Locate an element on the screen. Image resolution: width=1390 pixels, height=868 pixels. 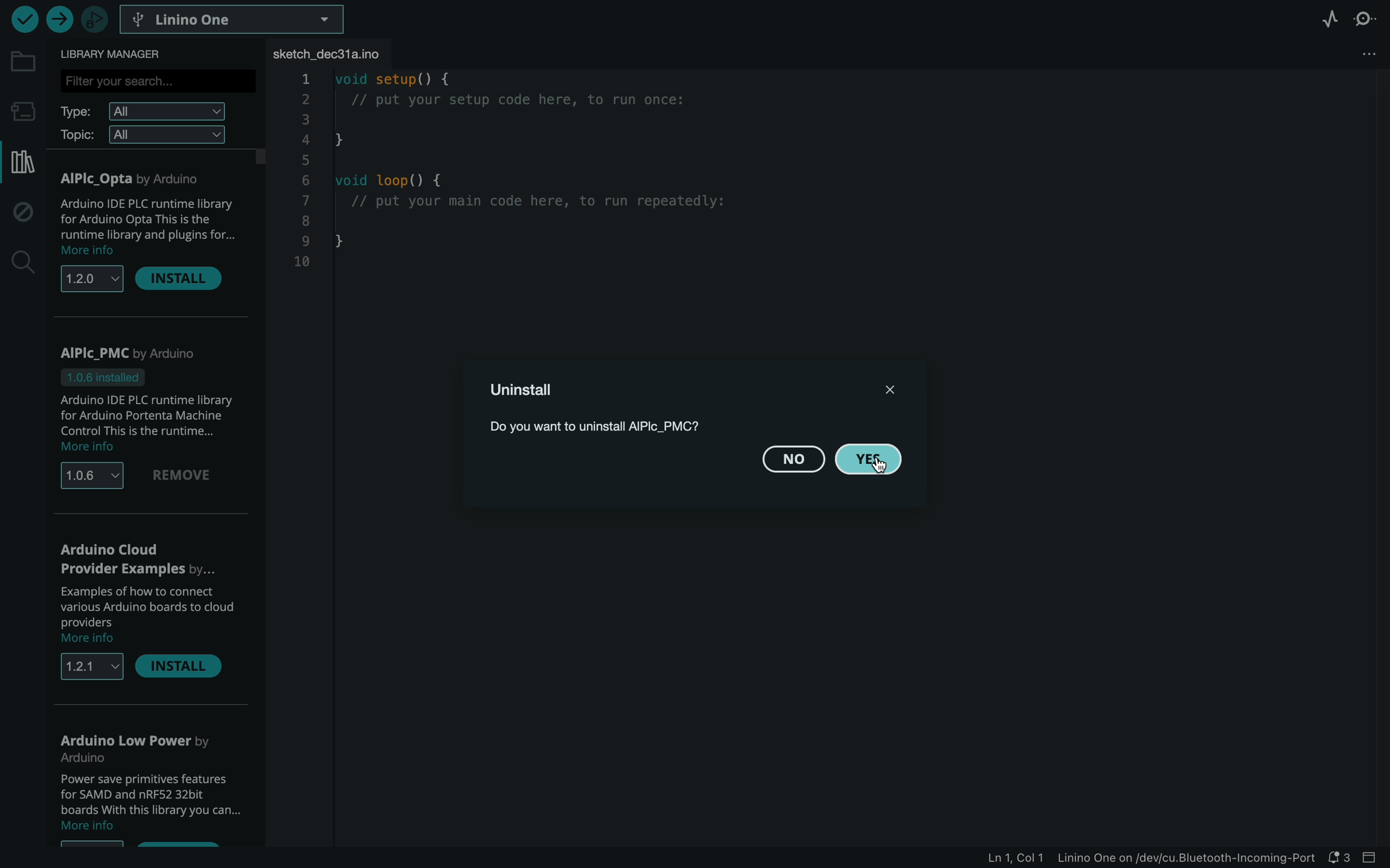
search bar is located at coordinates (156, 83).